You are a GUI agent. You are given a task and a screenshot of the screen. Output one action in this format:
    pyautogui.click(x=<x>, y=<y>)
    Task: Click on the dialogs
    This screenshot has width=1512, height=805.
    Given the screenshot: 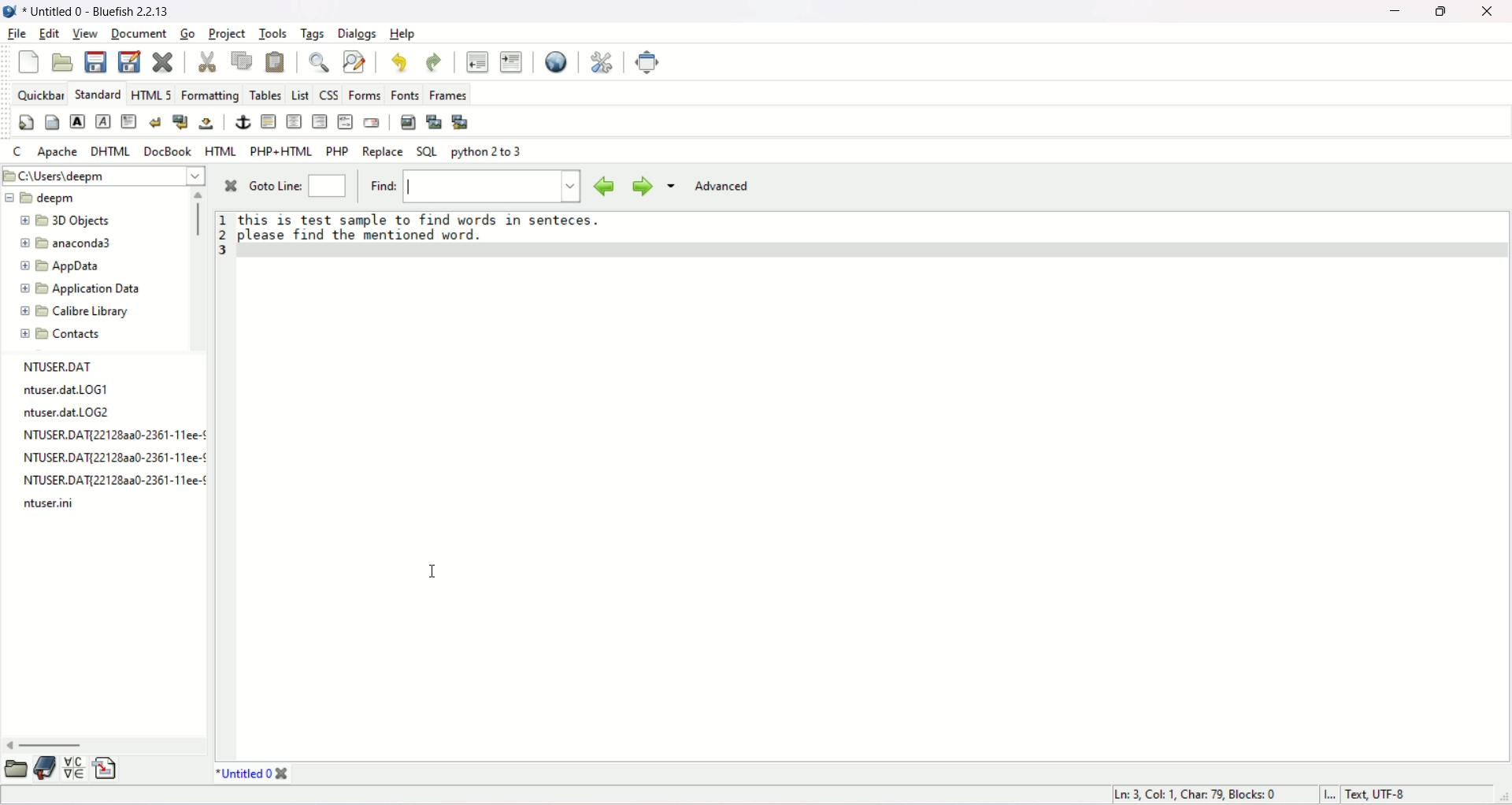 What is the action you would take?
    pyautogui.click(x=356, y=34)
    